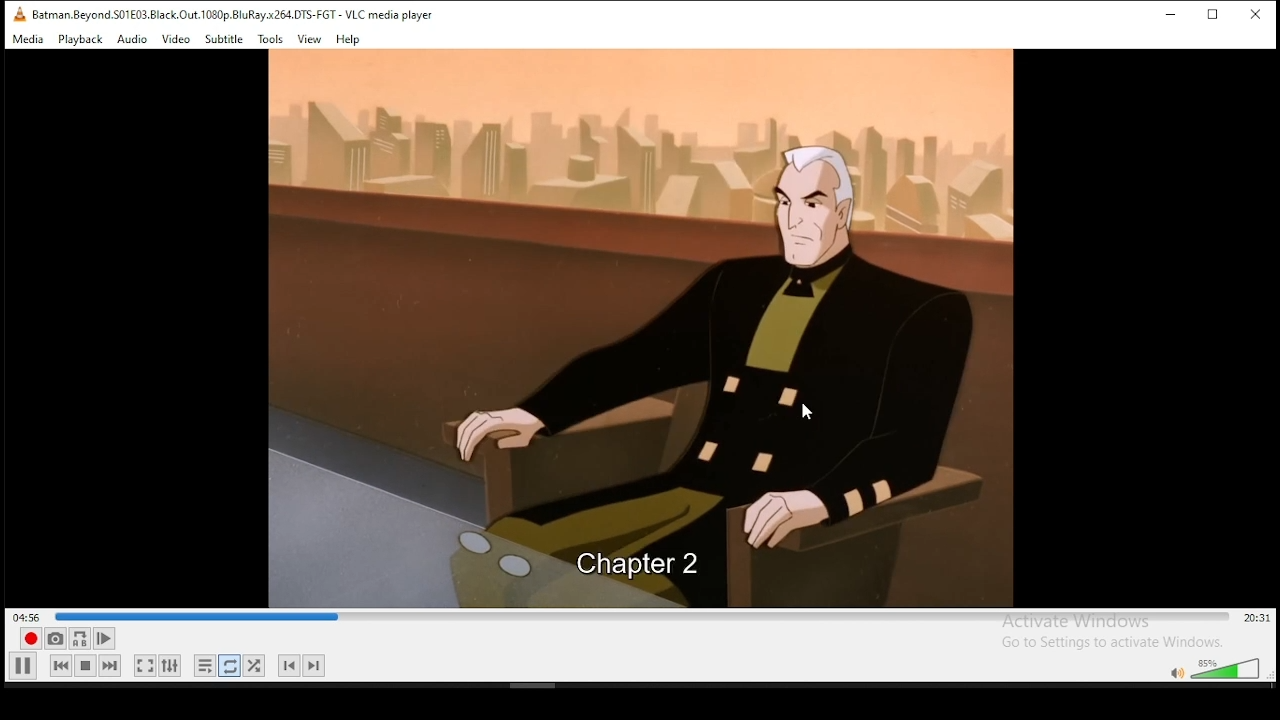 Image resolution: width=1280 pixels, height=720 pixels. Describe the element at coordinates (1175, 16) in the screenshot. I see `minimize` at that location.